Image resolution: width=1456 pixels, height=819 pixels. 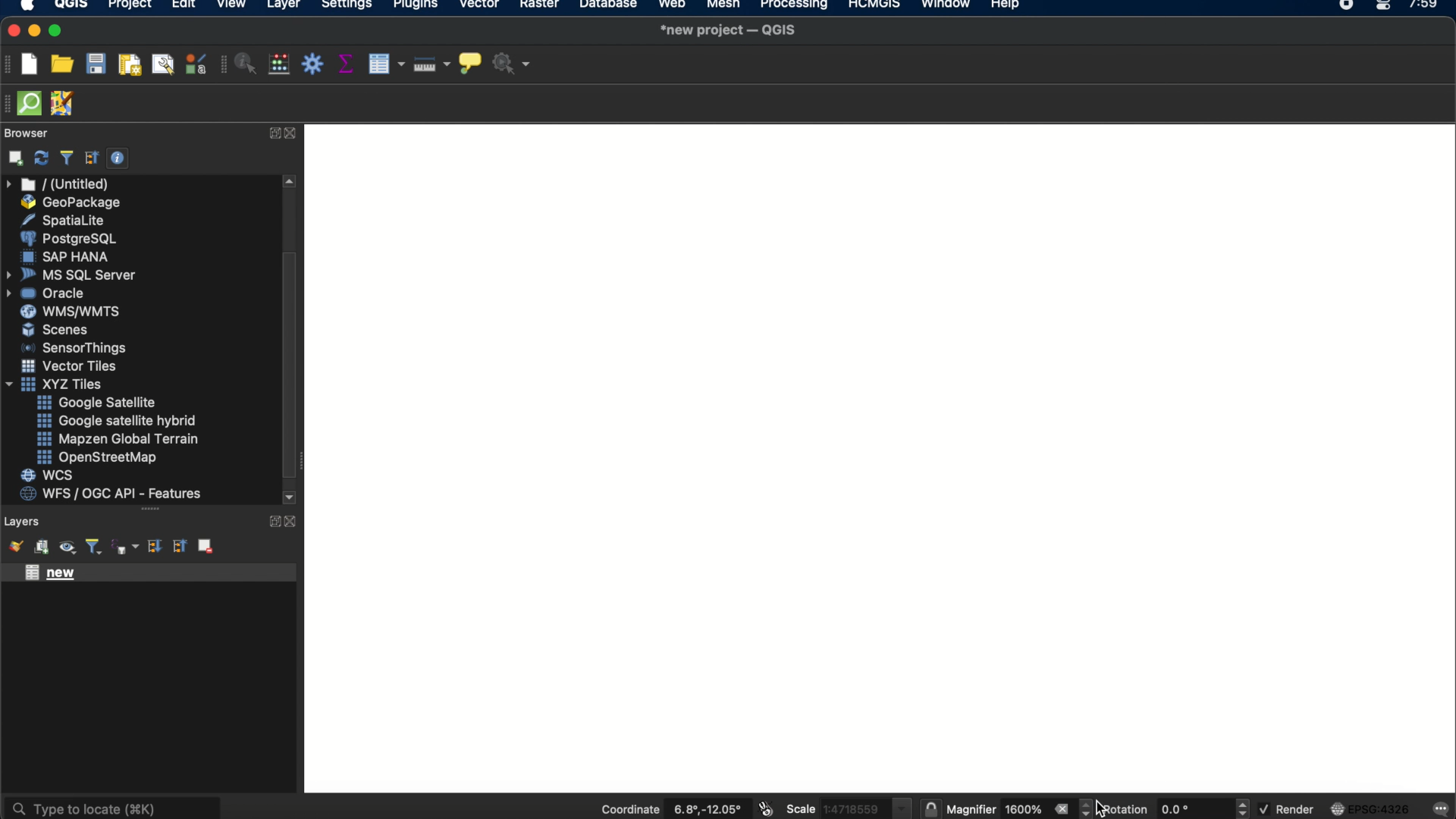 What do you see at coordinates (127, 6) in the screenshot?
I see `project` at bounding box center [127, 6].